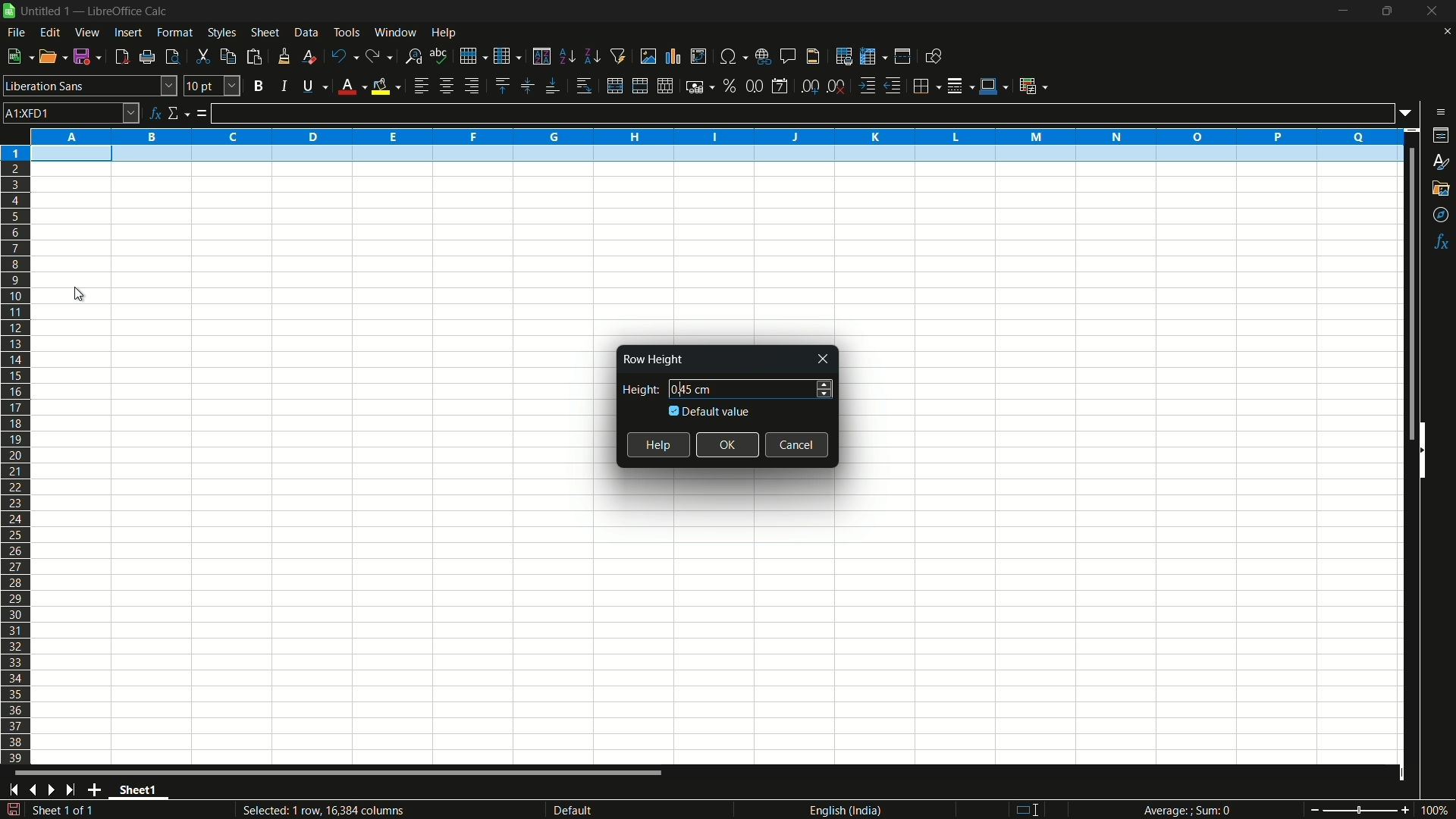 The image size is (1456, 819). What do you see at coordinates (470, 86) in the screenshot?
I see `align right` at bounding box center [470, 86].